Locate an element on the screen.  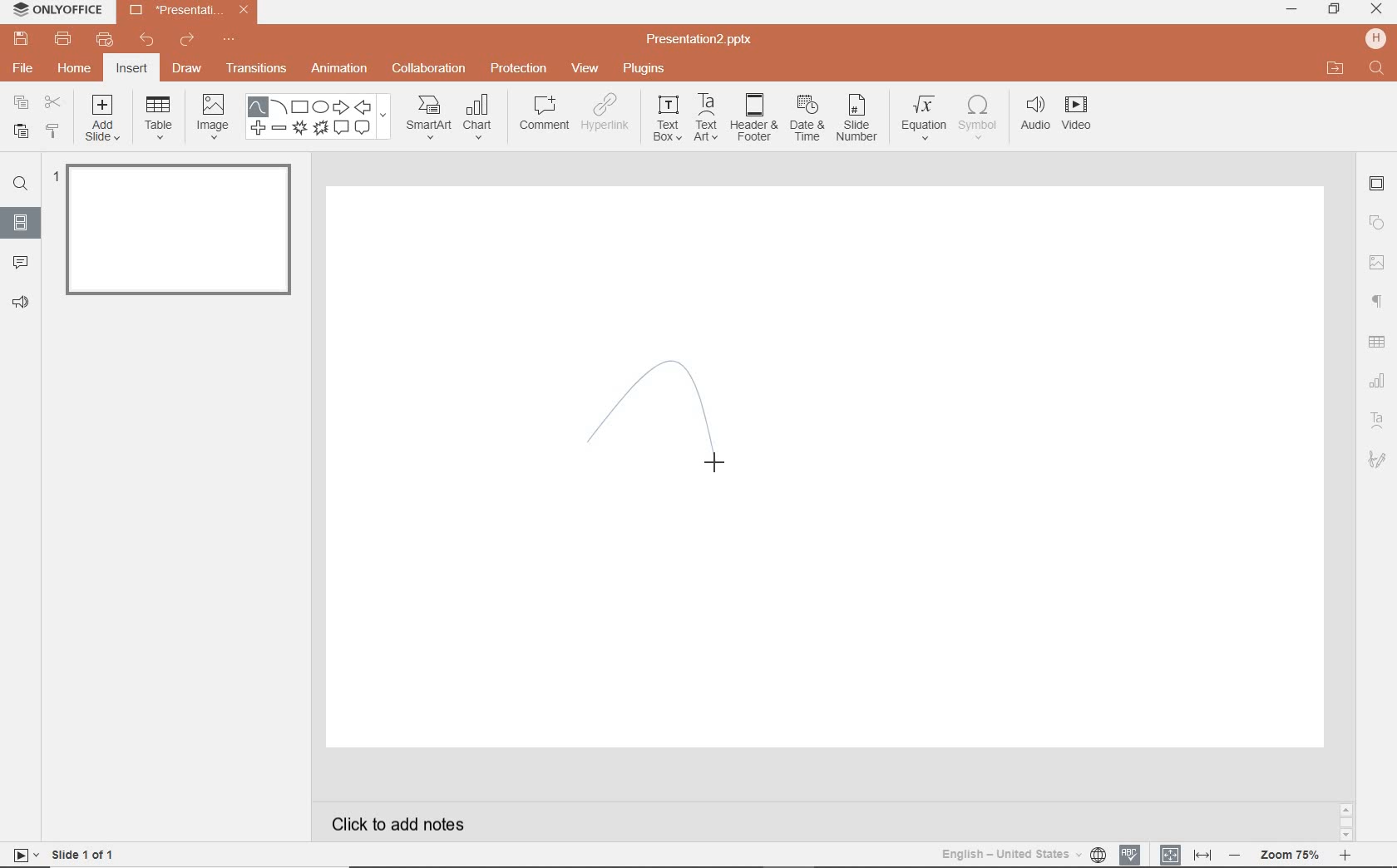
CLICK TO ADD NOTES is located at coordinates (403, 824).